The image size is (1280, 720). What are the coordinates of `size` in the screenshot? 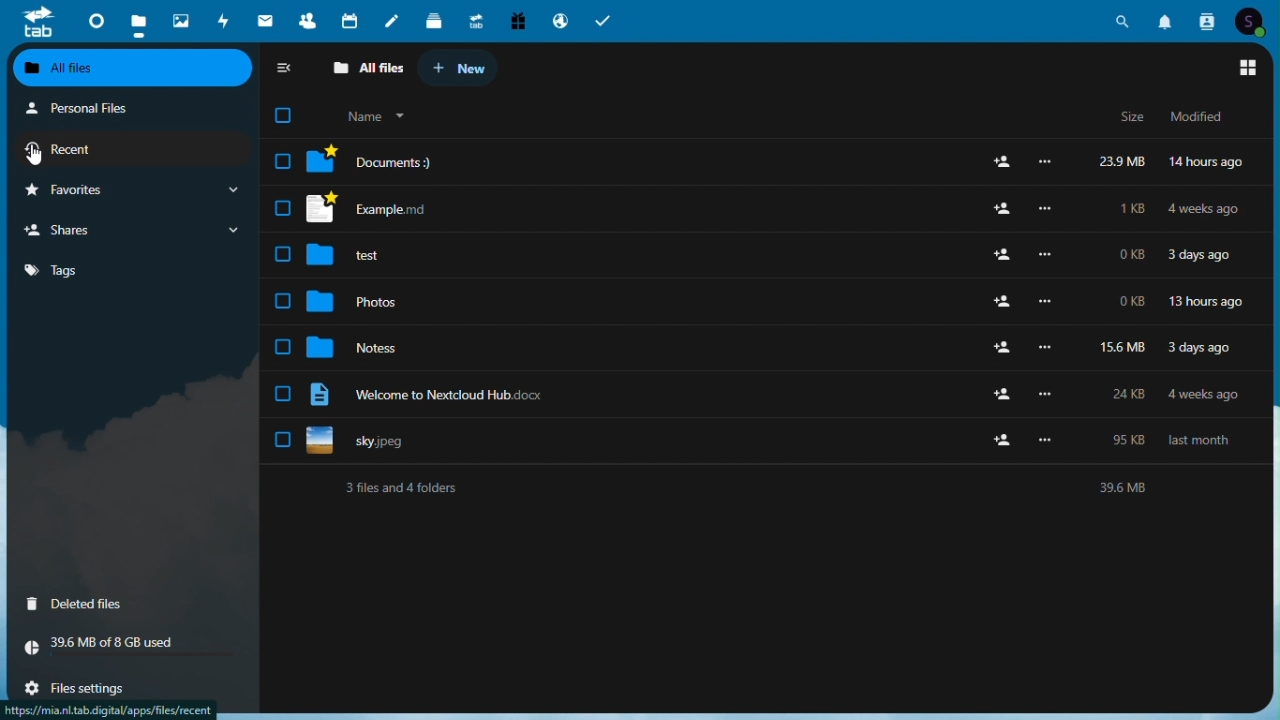 It's located at (1118, 120).